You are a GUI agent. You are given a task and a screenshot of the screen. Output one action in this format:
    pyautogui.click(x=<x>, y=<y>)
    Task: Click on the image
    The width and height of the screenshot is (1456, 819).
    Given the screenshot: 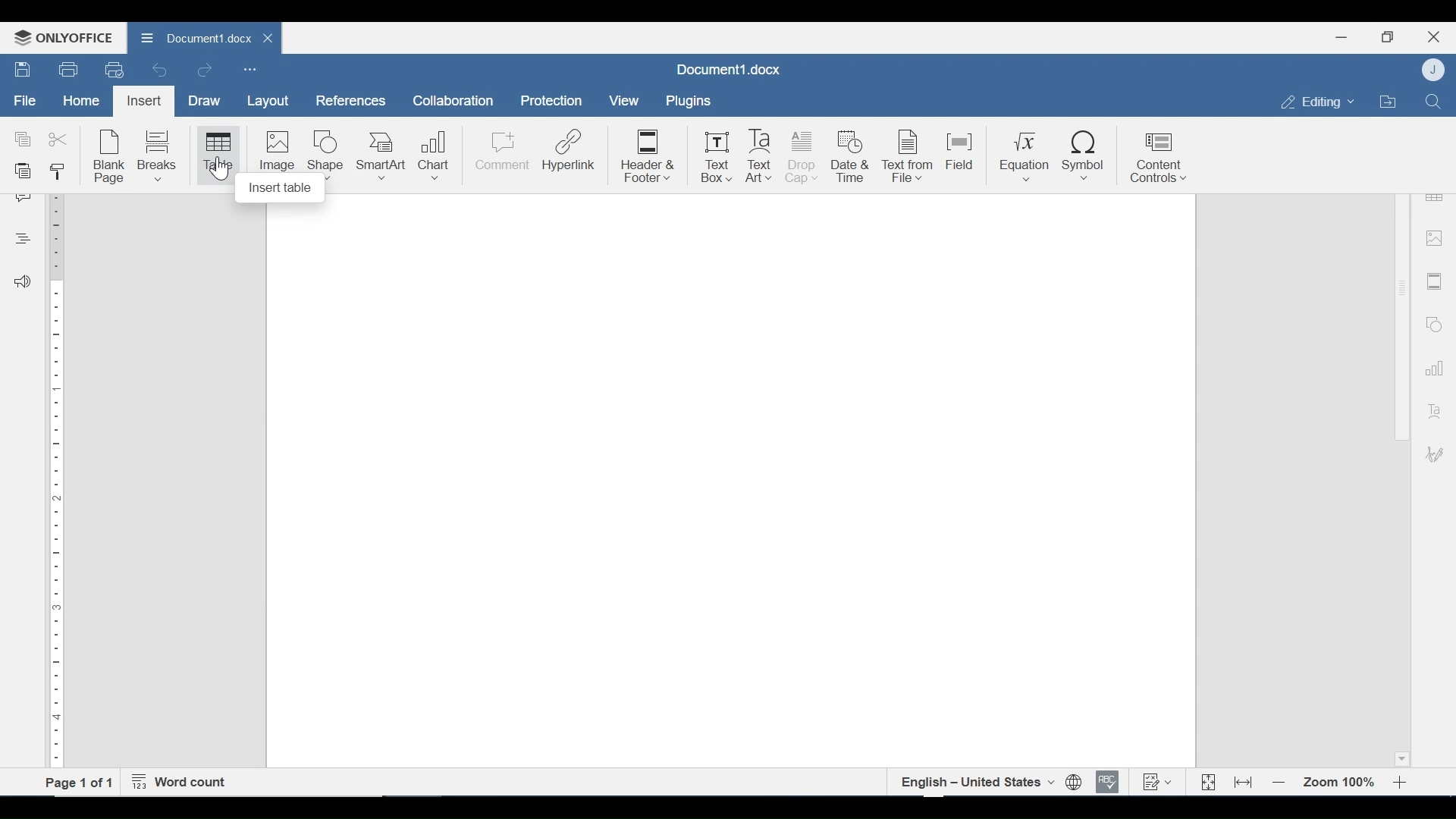 What is the action you would take?
    pyautogui.click(x=1434, y=237)
    